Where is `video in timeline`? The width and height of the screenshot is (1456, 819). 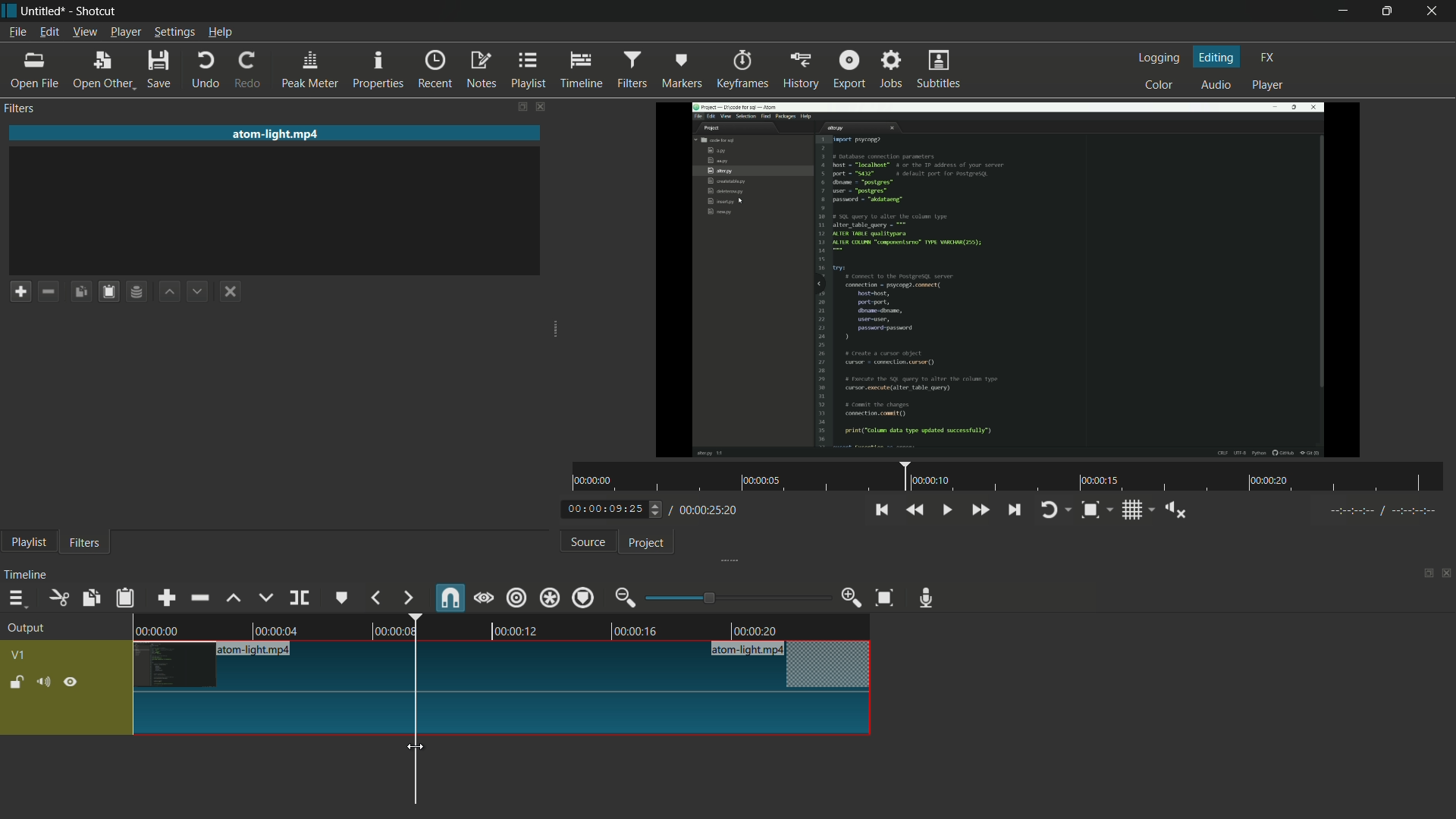 video in timeline is located at coordinates (504, 625).